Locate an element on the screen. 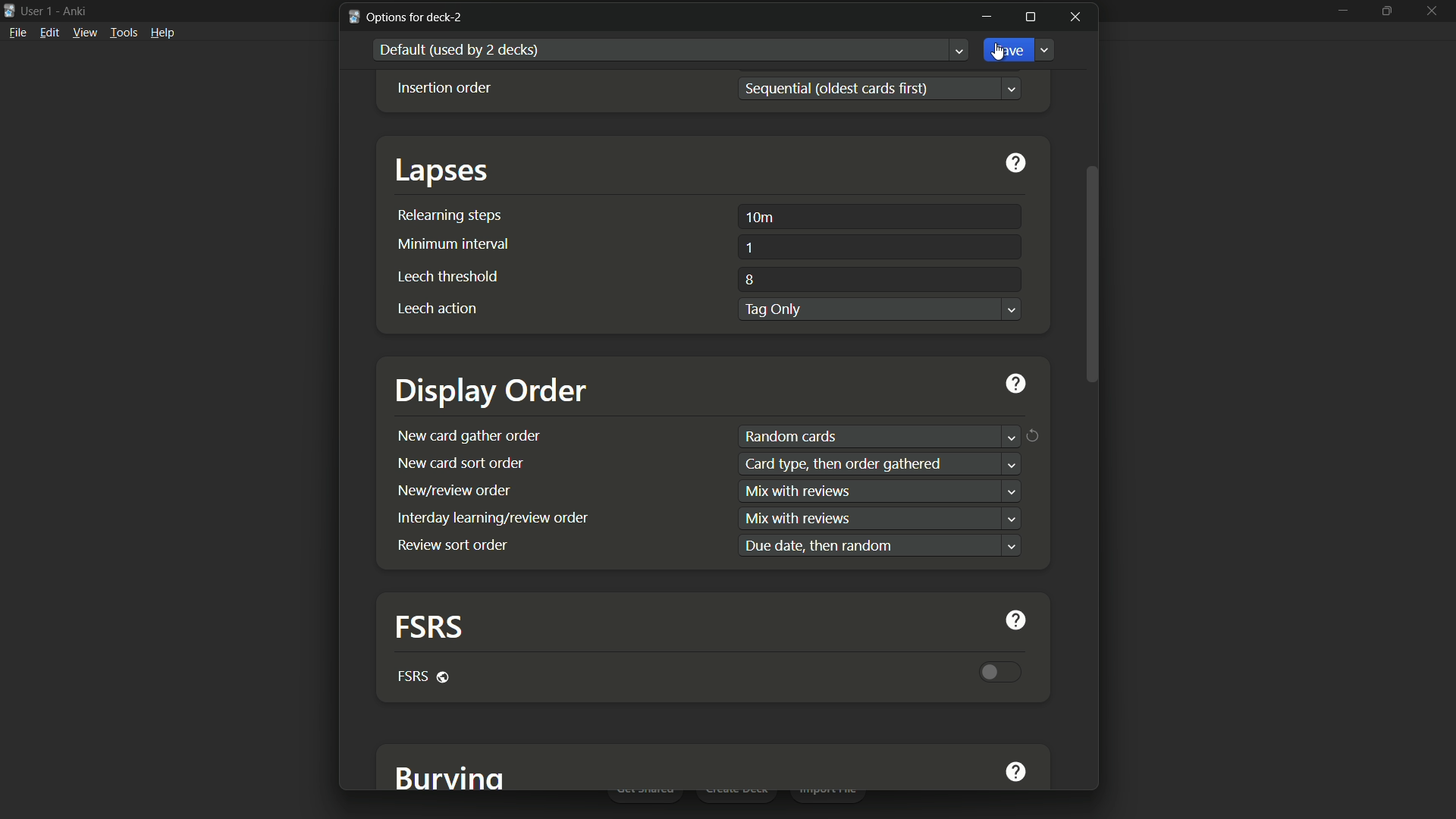  minimum interval is located at coordinates (450, 243).